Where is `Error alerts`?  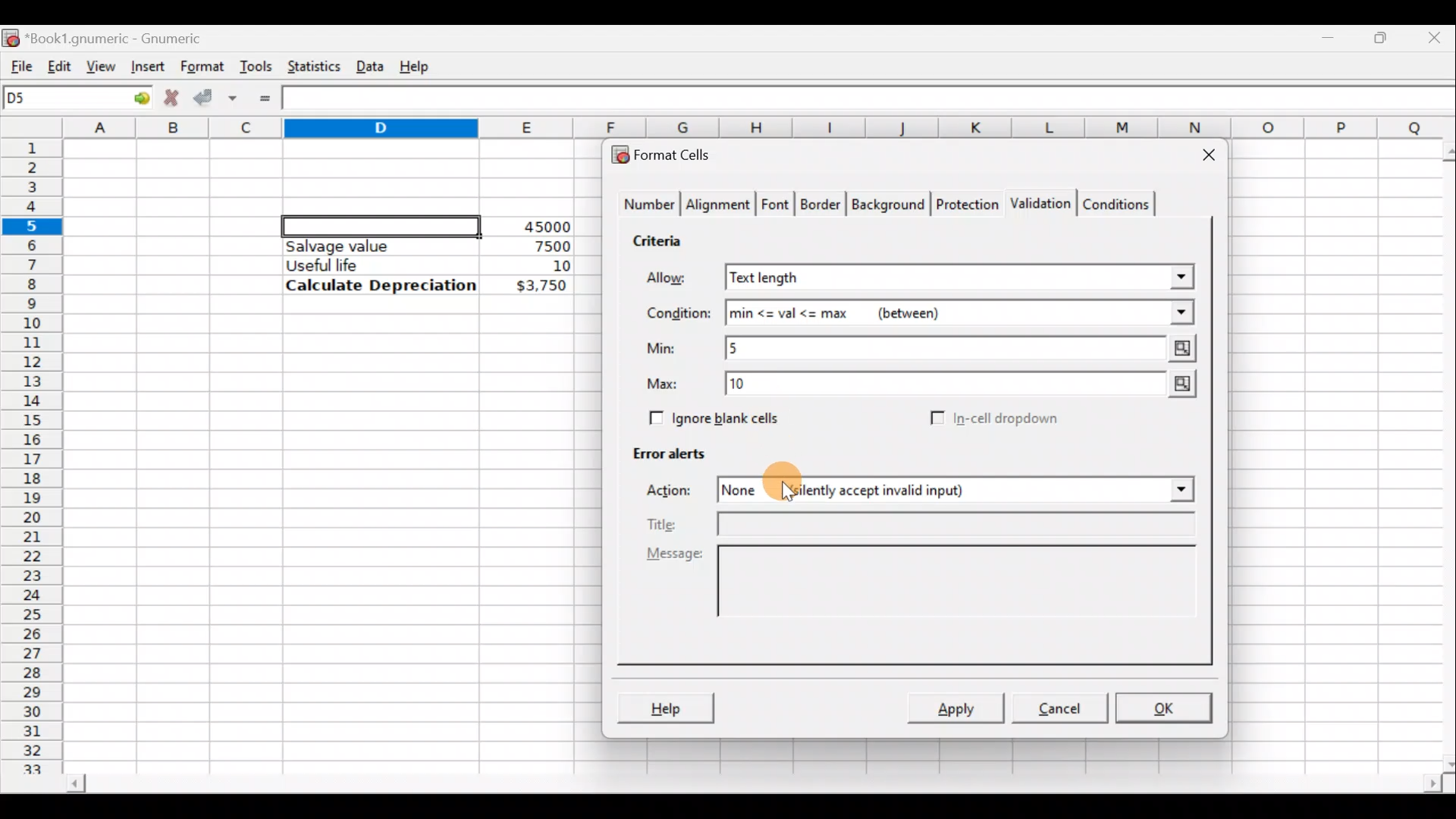
Error alerts is located at coordinates (661, 450).